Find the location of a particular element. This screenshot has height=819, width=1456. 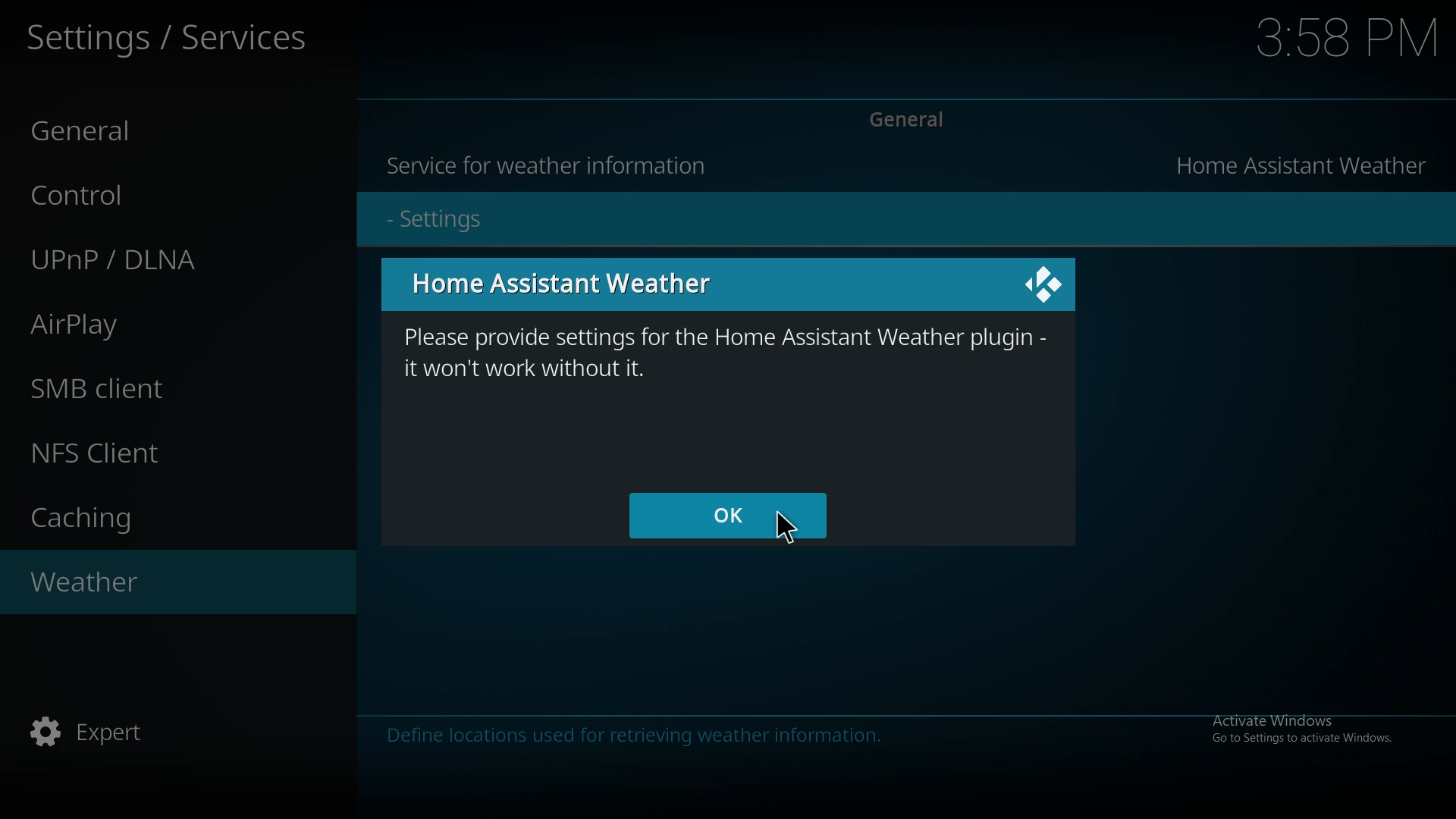

- Settings is located at coordinates (478, 222).